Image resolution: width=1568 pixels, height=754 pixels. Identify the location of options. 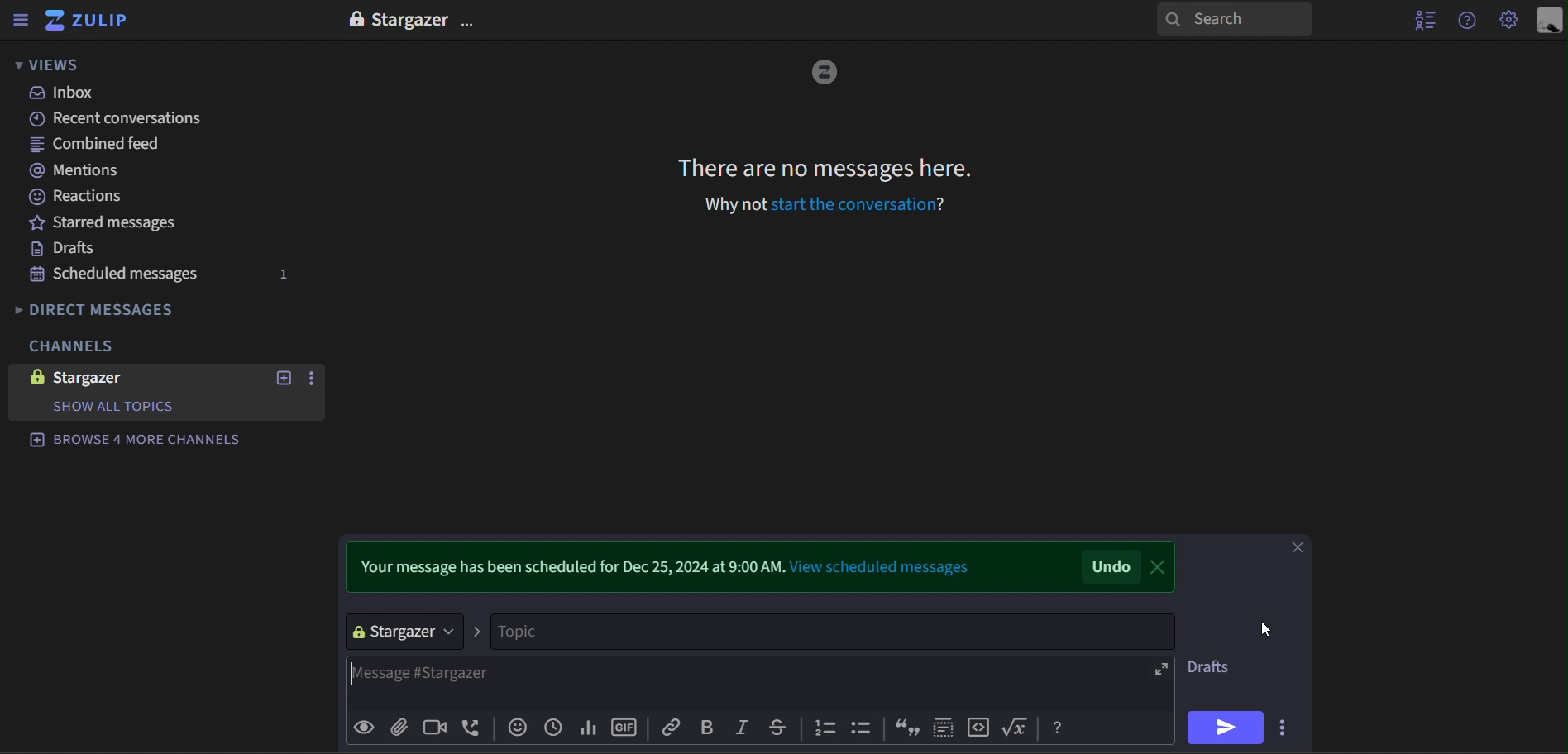
(314, 379).